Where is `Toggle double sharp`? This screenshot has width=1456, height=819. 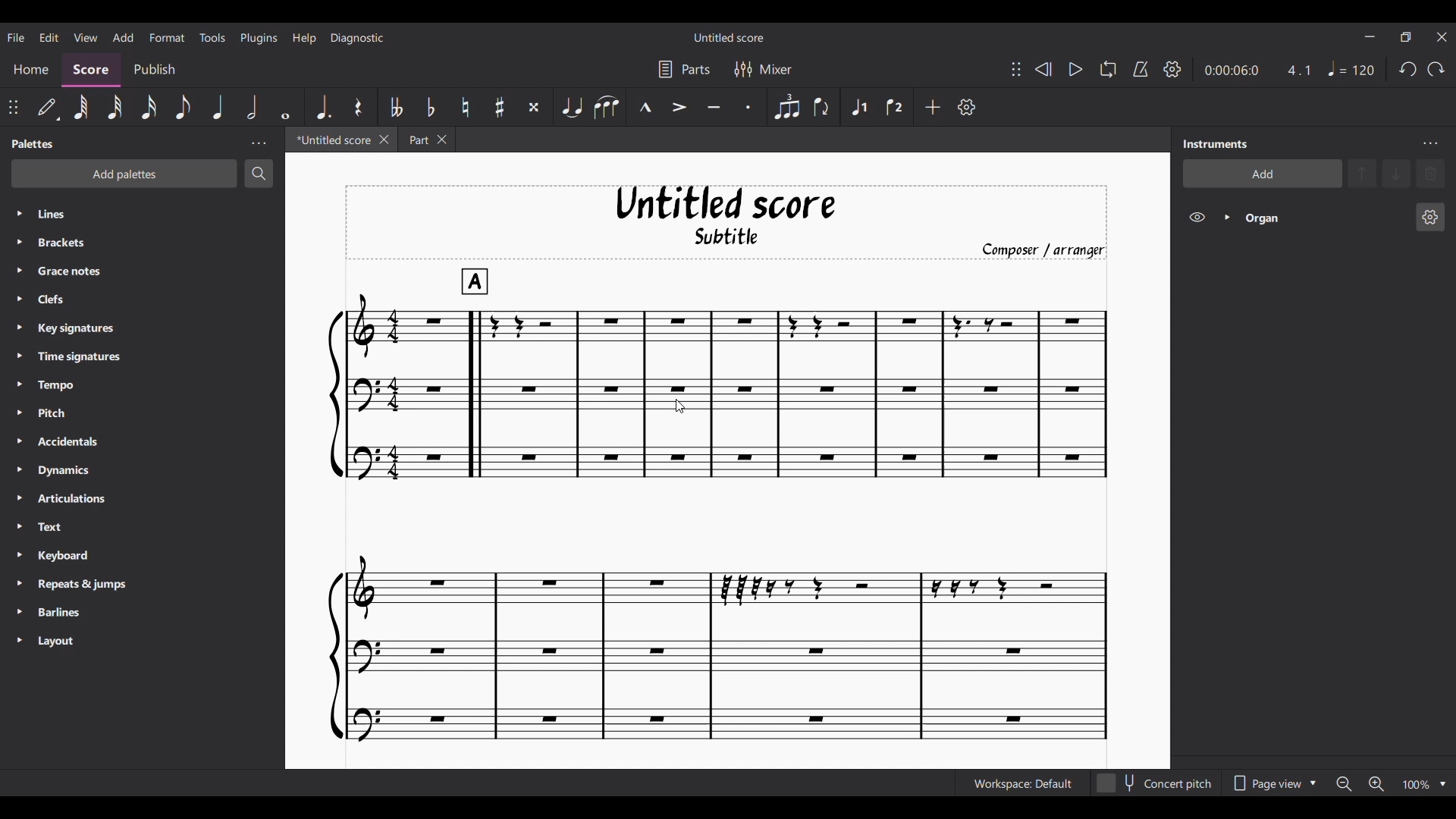
Toggle double sharp is located at coordinates (534, 108).